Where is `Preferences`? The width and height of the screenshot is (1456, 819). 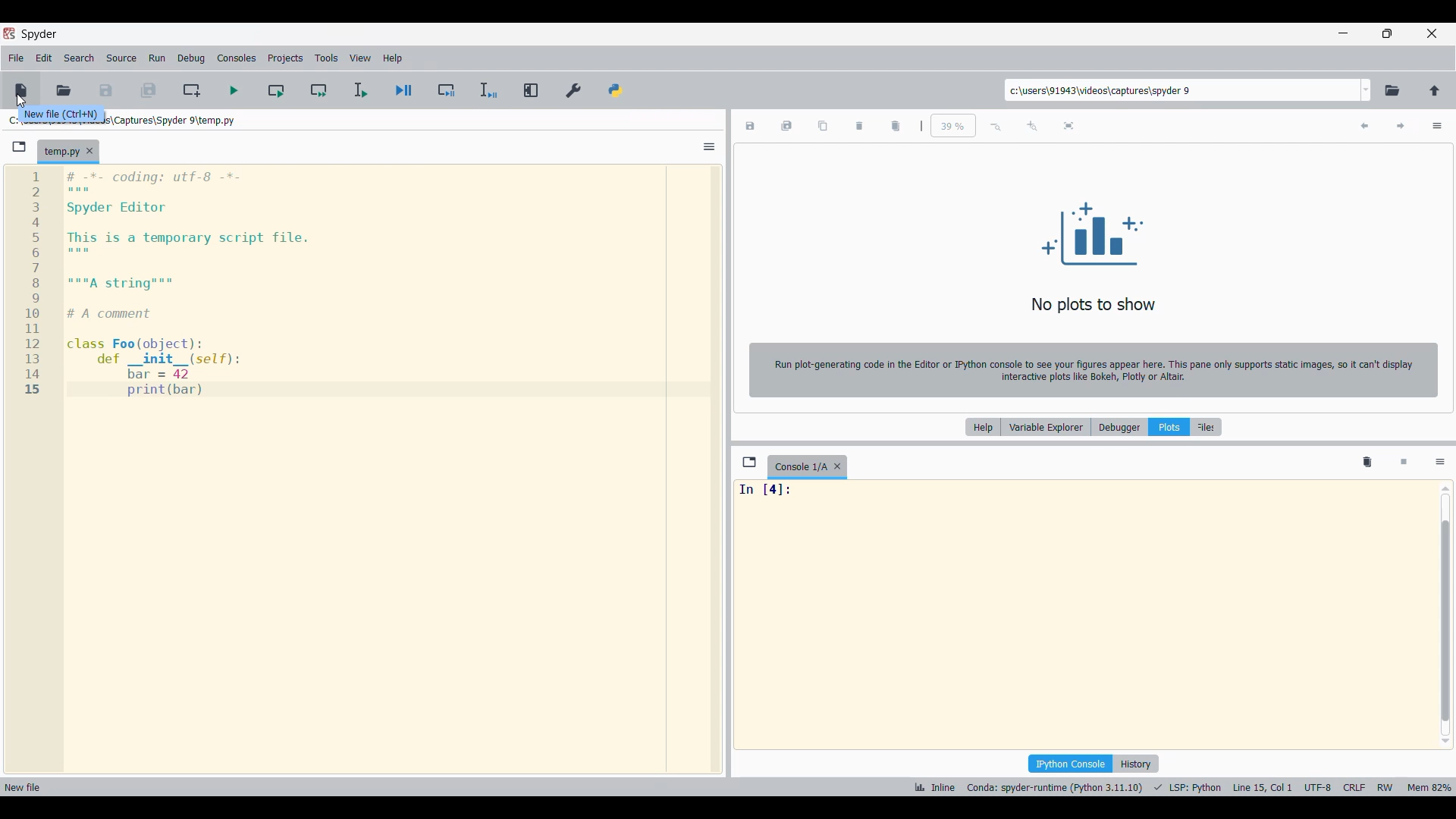
Preferences is located at coordinates (574, 90).